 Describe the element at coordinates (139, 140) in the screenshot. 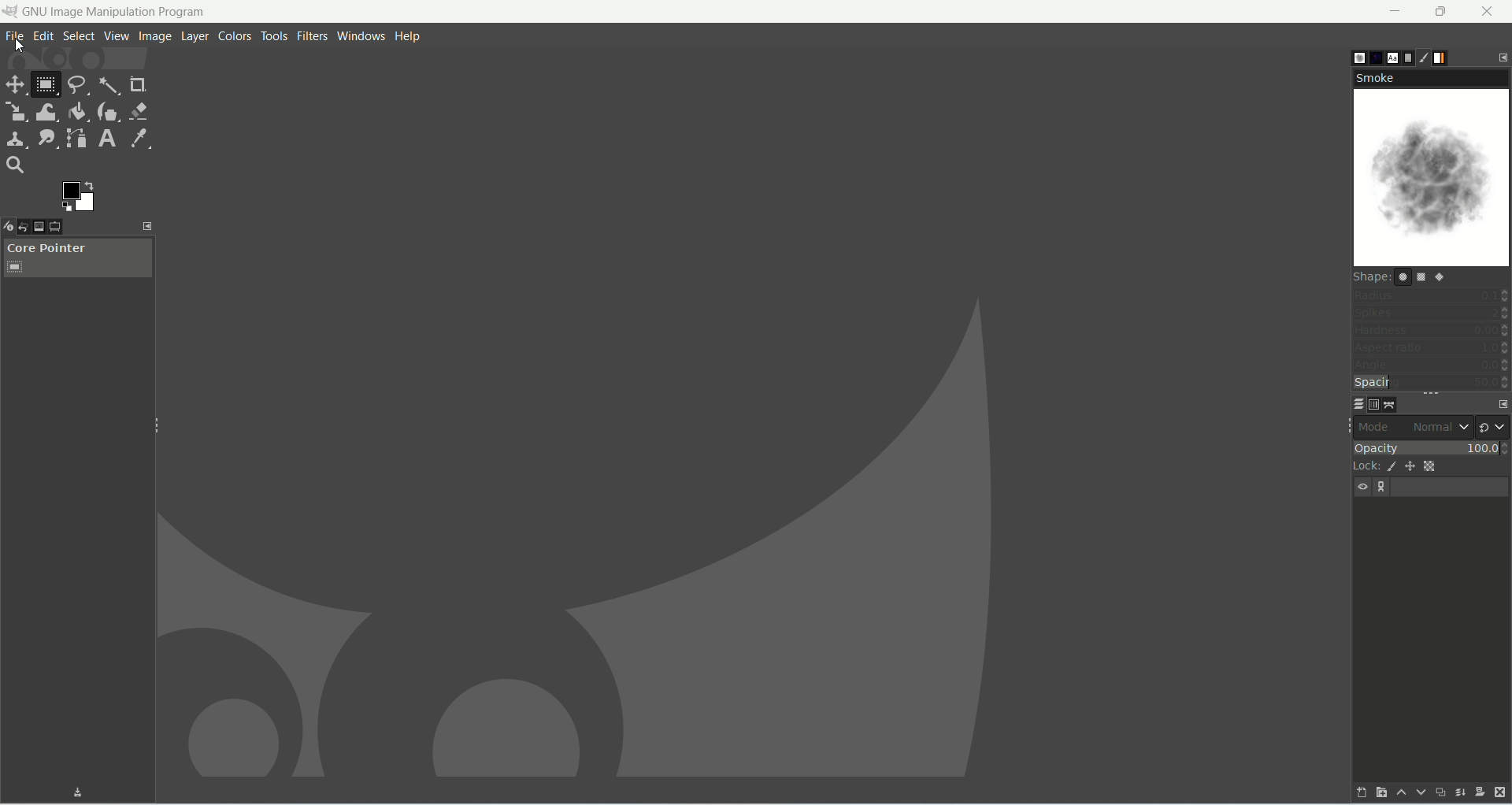

I see `color picker tool` at that location.